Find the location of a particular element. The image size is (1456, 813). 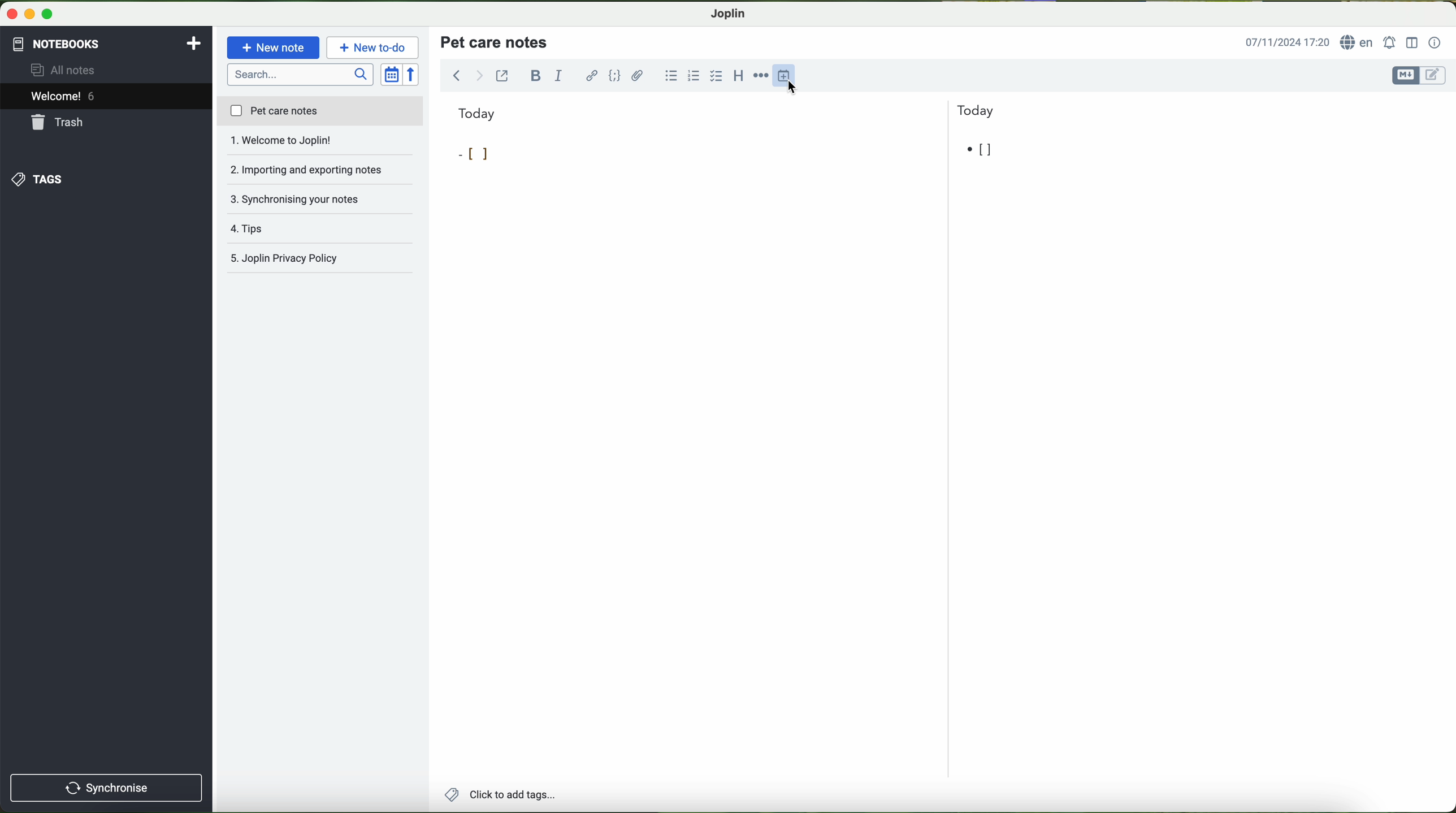

toggle external editing is located at coordinates (502, 75).